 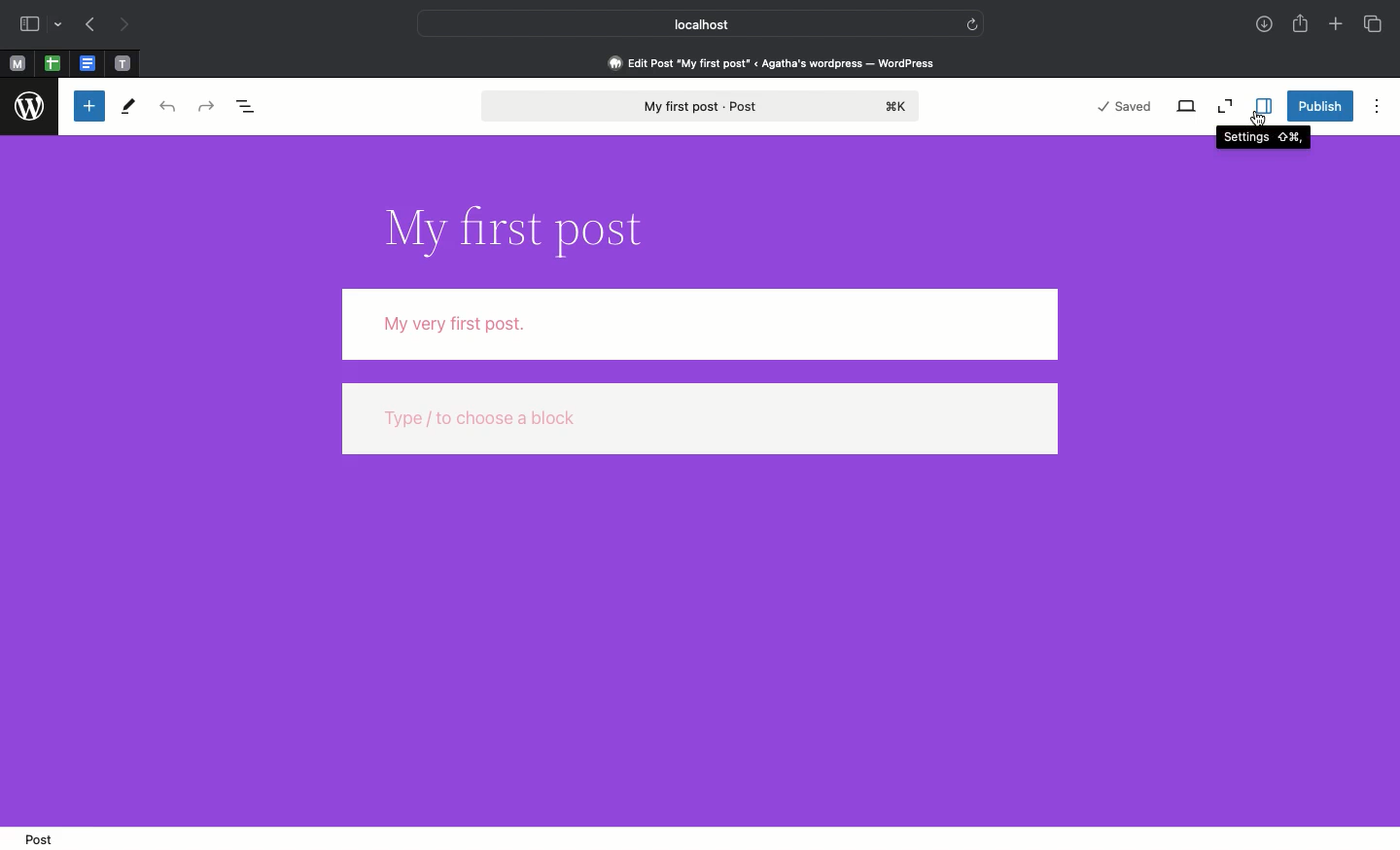 What do you see at coordinates (204, 106) in the screenshot?
I see `Redo` at bounding box center [204, 106].